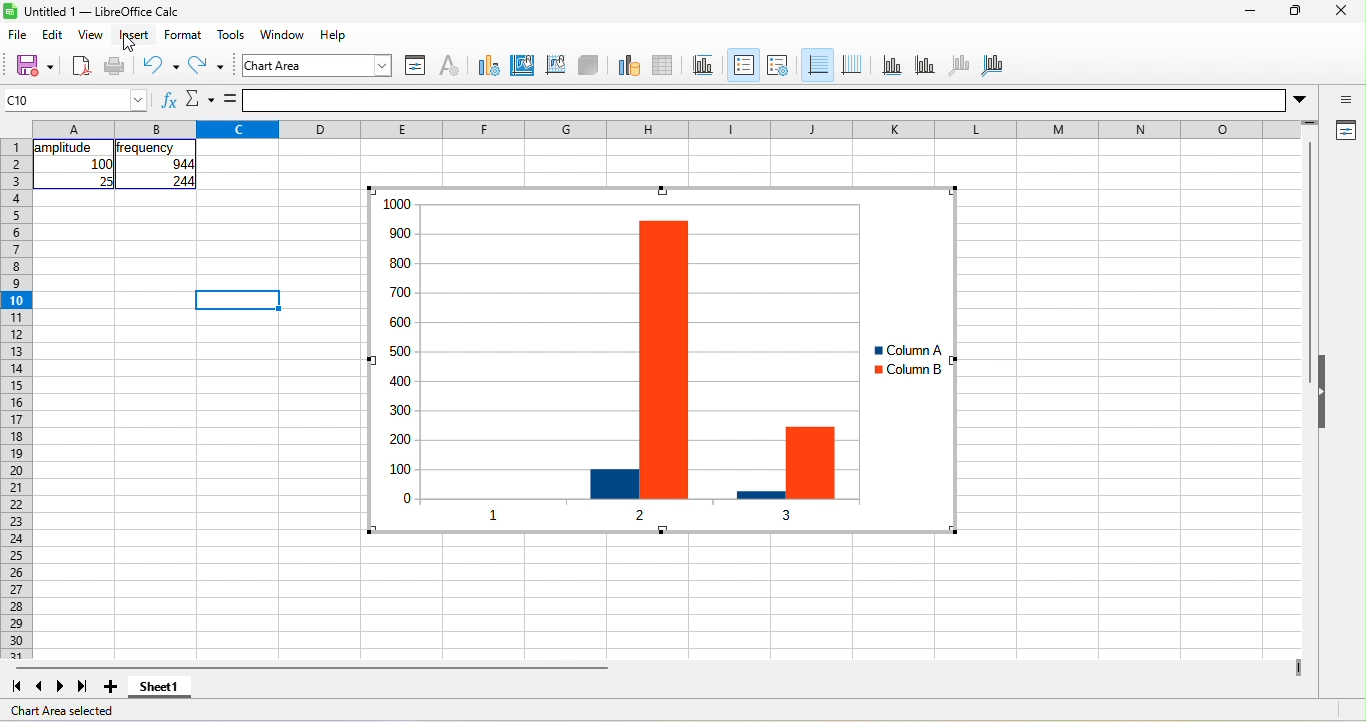 The width and height of the screenshot is (1366, 722). Describe the element at coordinates (957, 64) in the screenshot. I see `z axis` at that location.